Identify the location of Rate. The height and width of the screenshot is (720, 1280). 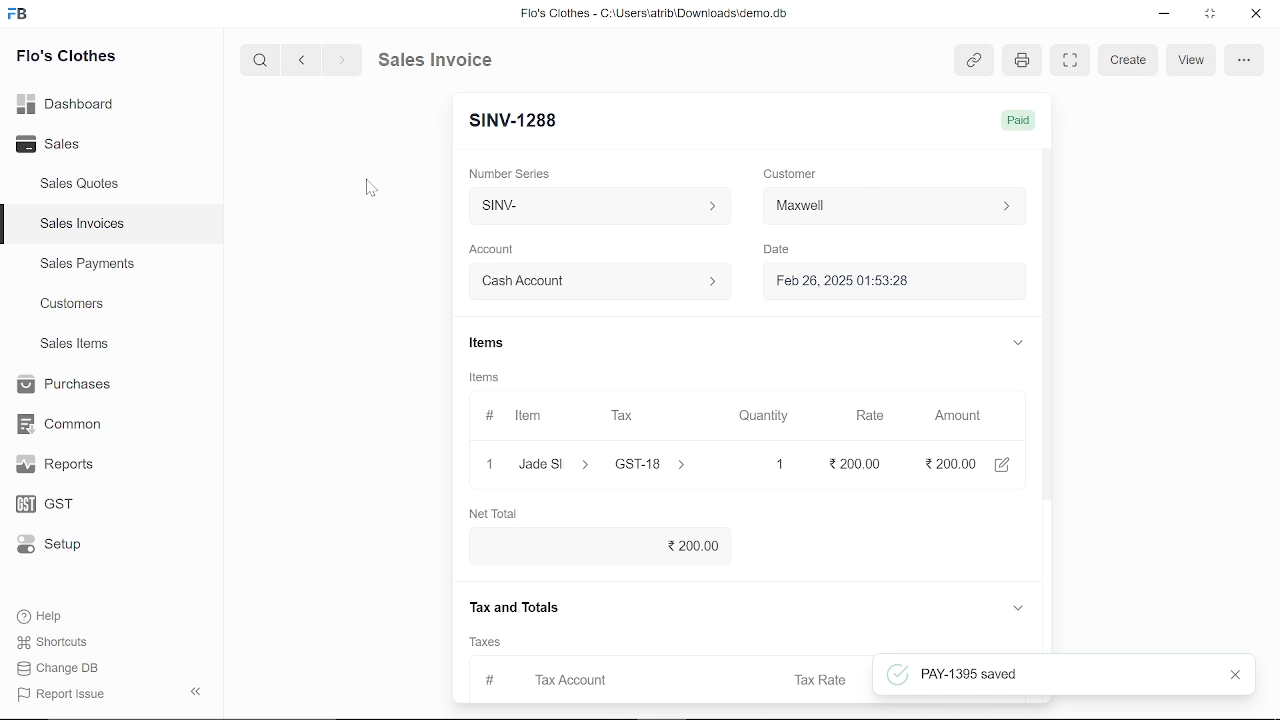
(863, 416).